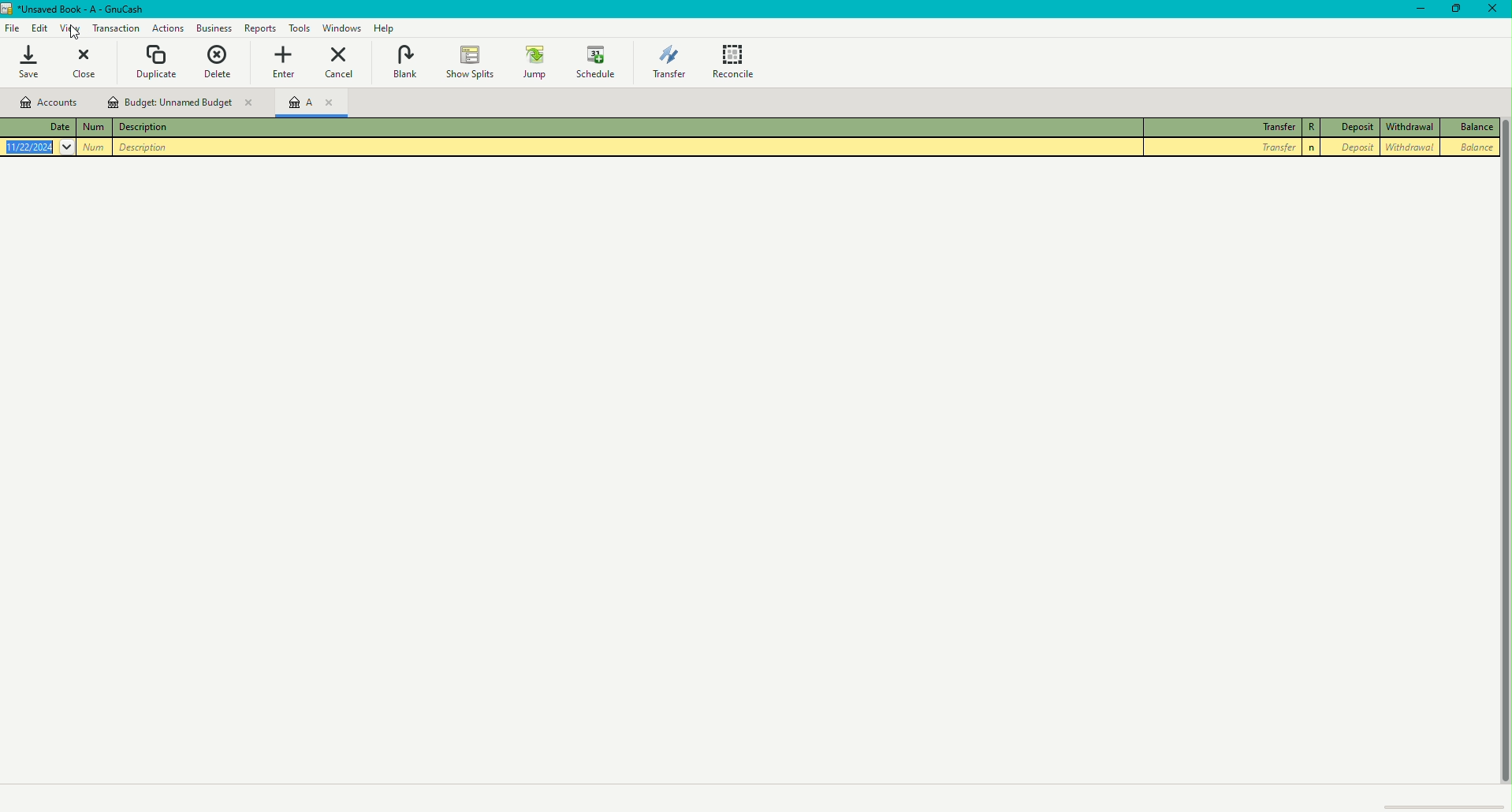 The image size is (1512, 812). What do you see at coordinates (1350, 147) in the screenshot?
I see `Deposit` at bounding box center [1350, 147].